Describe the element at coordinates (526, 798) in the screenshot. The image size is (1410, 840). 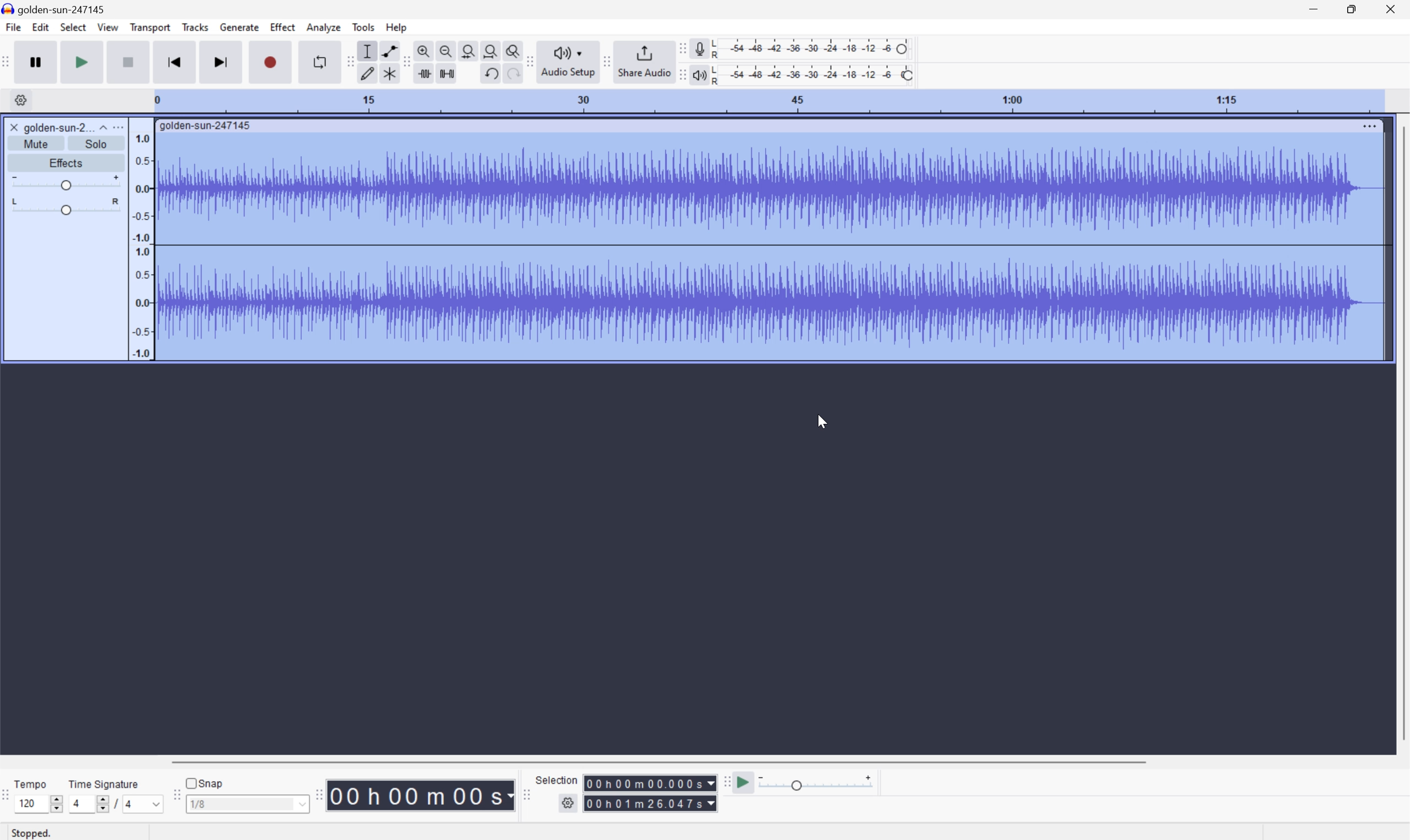
I see `Audacity selection toolbar` at that location.